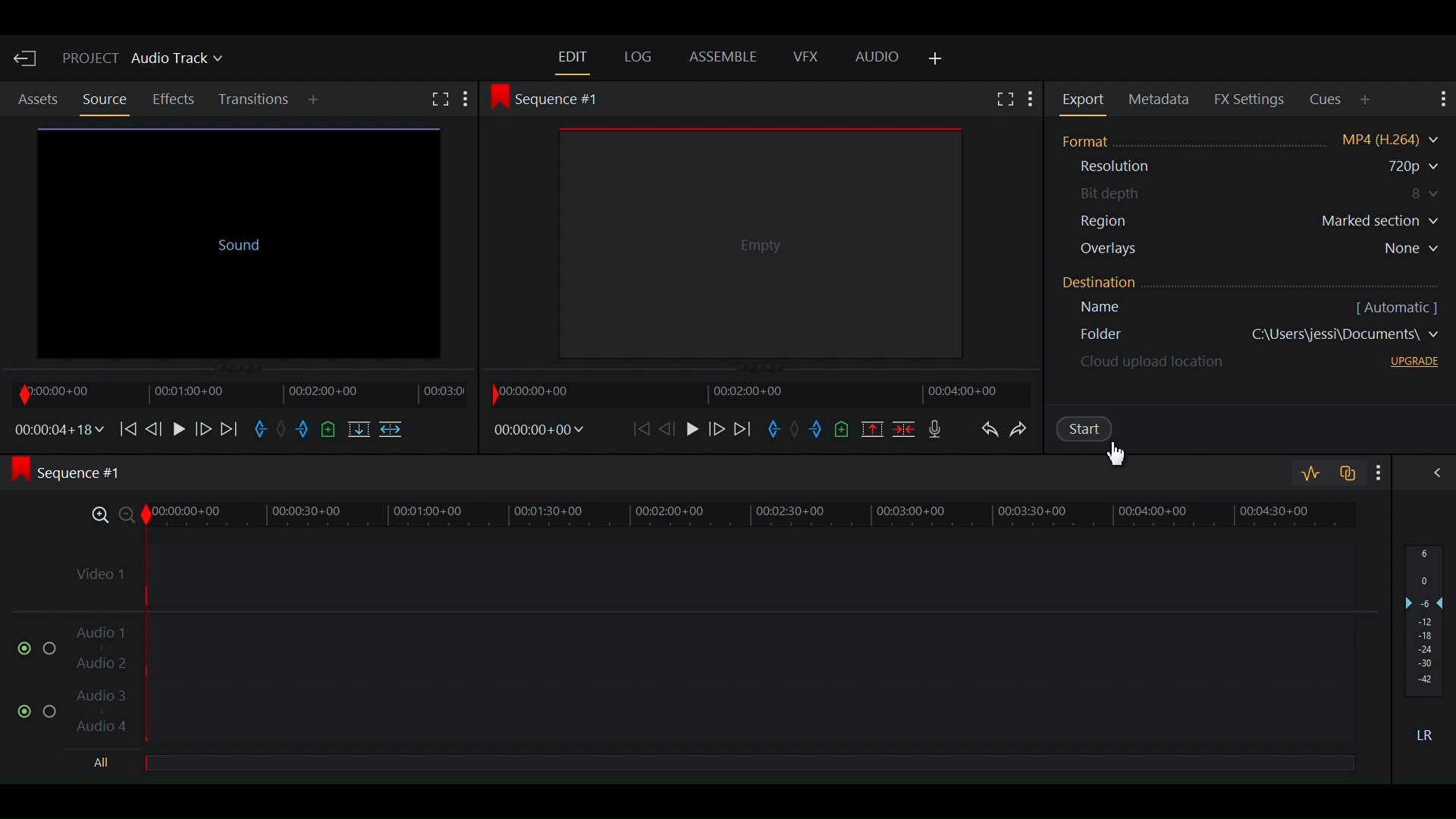 Image resolution: width=1456 pixels, height=819 pixels. What do you see at coordinates (155, 427) in the screenshot?
I see `Nudge one frame backward` at bounding box center [155, 427].